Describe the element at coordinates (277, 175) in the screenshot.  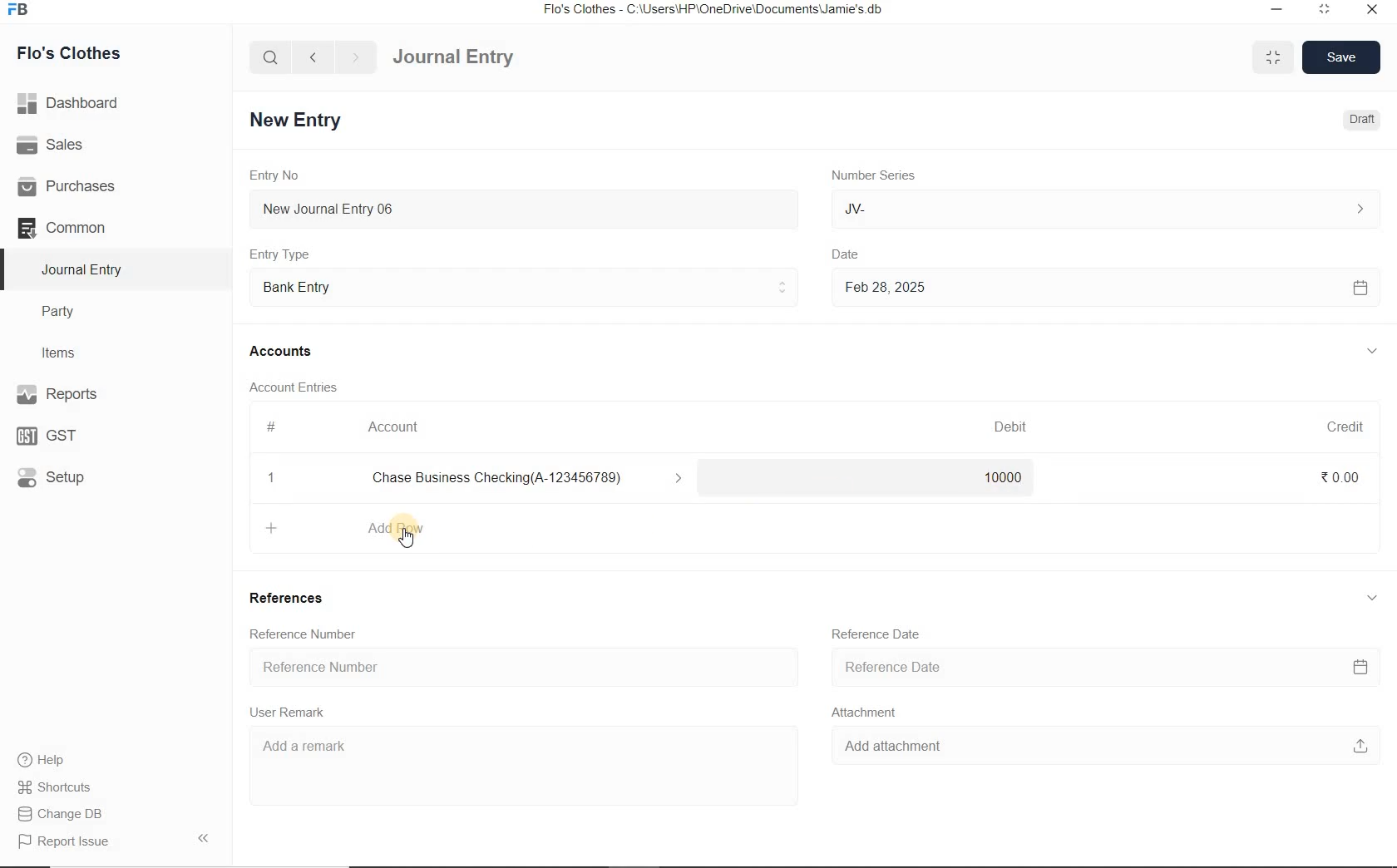
I see `Entry No` at that location.